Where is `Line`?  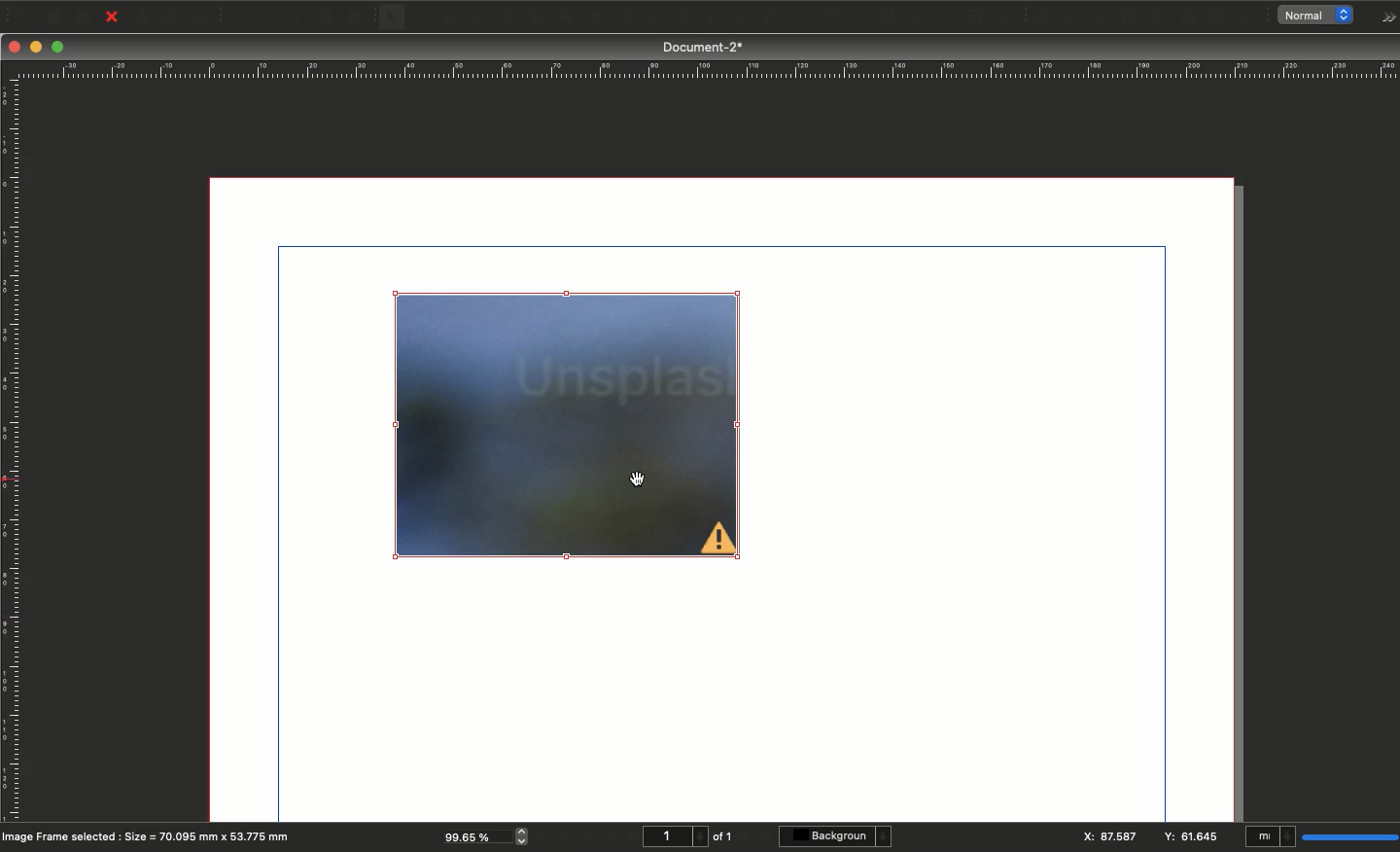
Line is located at coordinates (652, 18).